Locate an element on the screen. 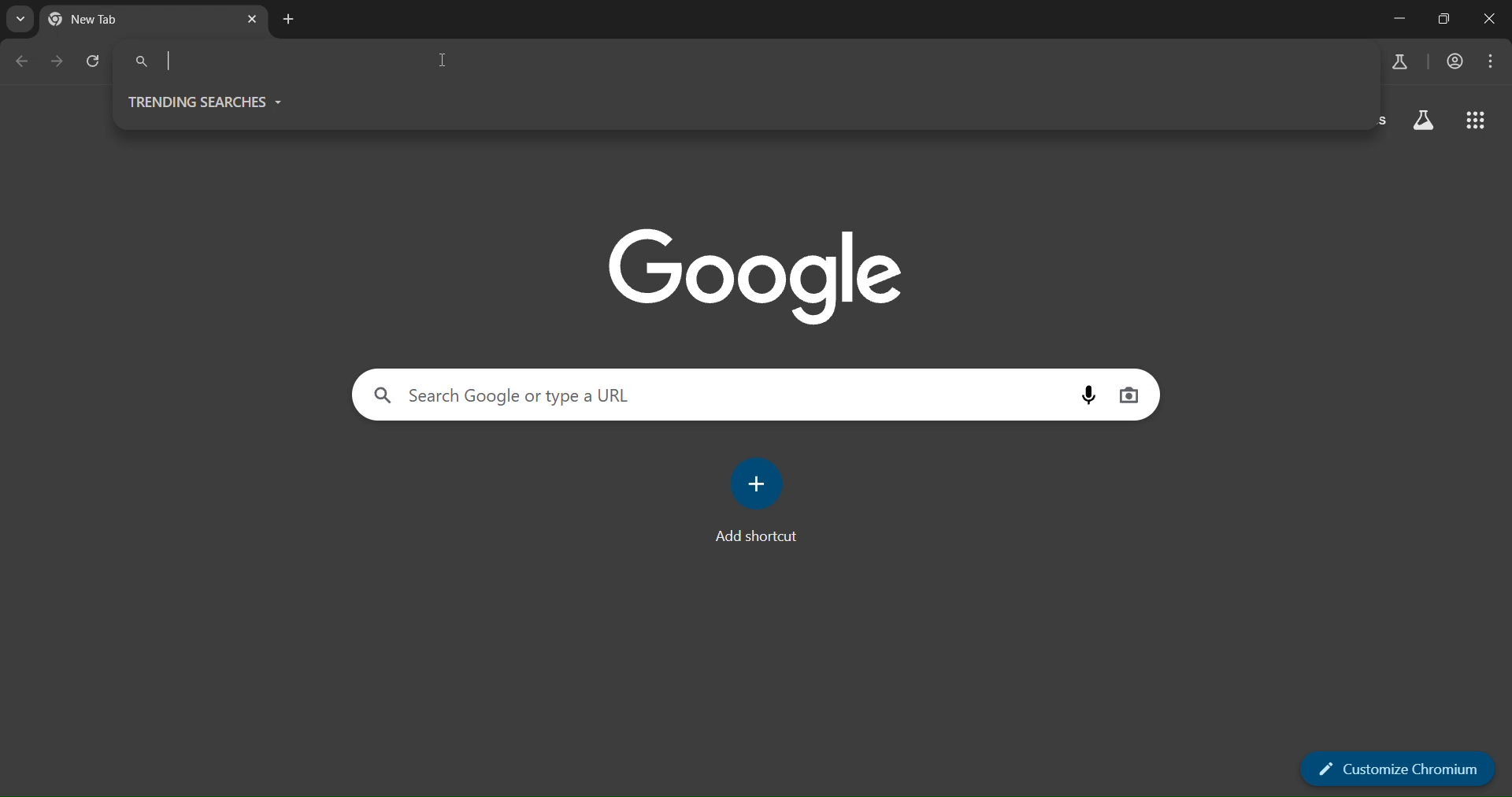 This screenshot has width=1512, height=797. go back one page is located at coordinates (20, 61).